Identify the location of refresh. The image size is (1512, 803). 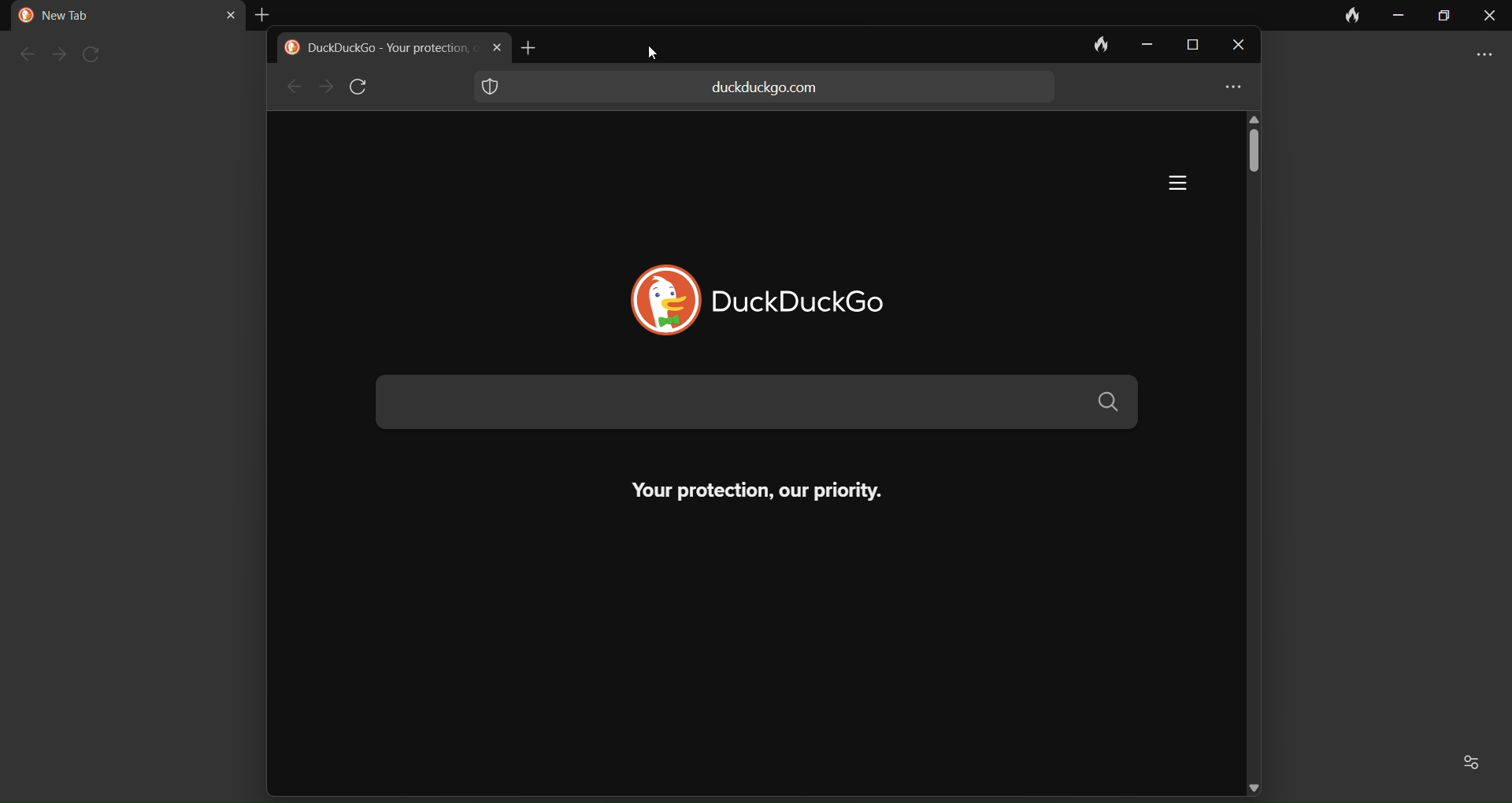
(96, 54).